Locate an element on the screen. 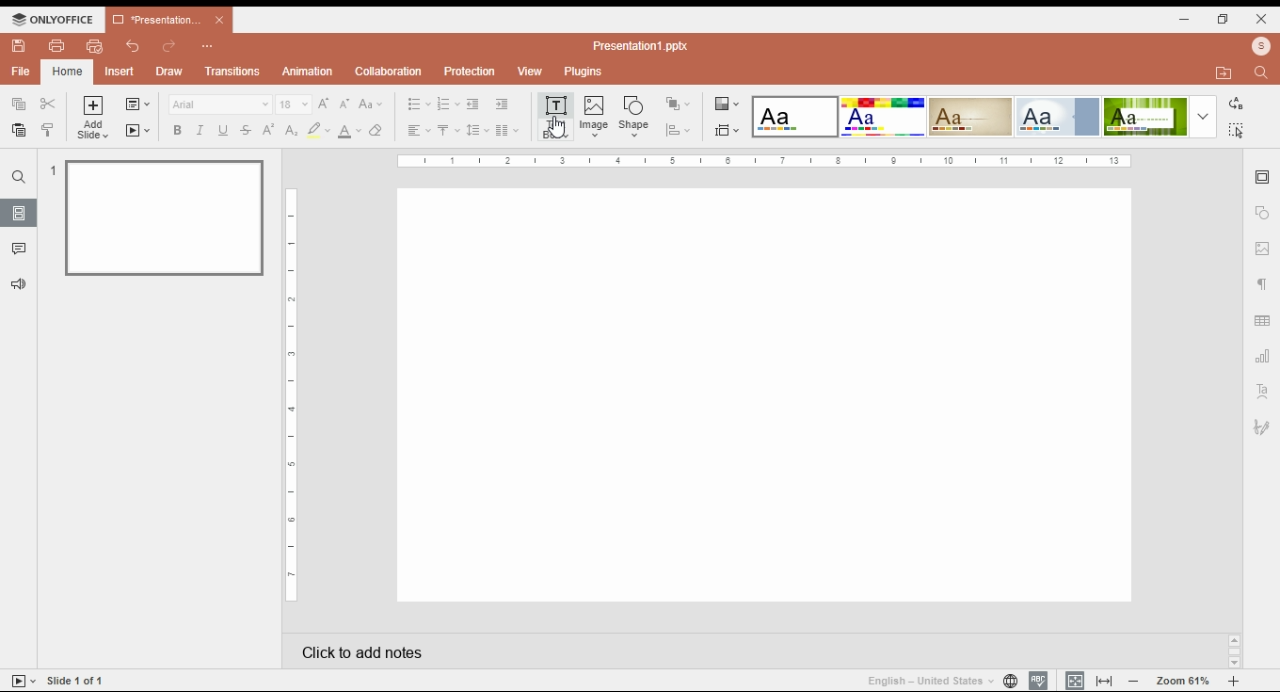 This screenshot has width=1280, height=692. slide size is located at coordinates (727, 131).